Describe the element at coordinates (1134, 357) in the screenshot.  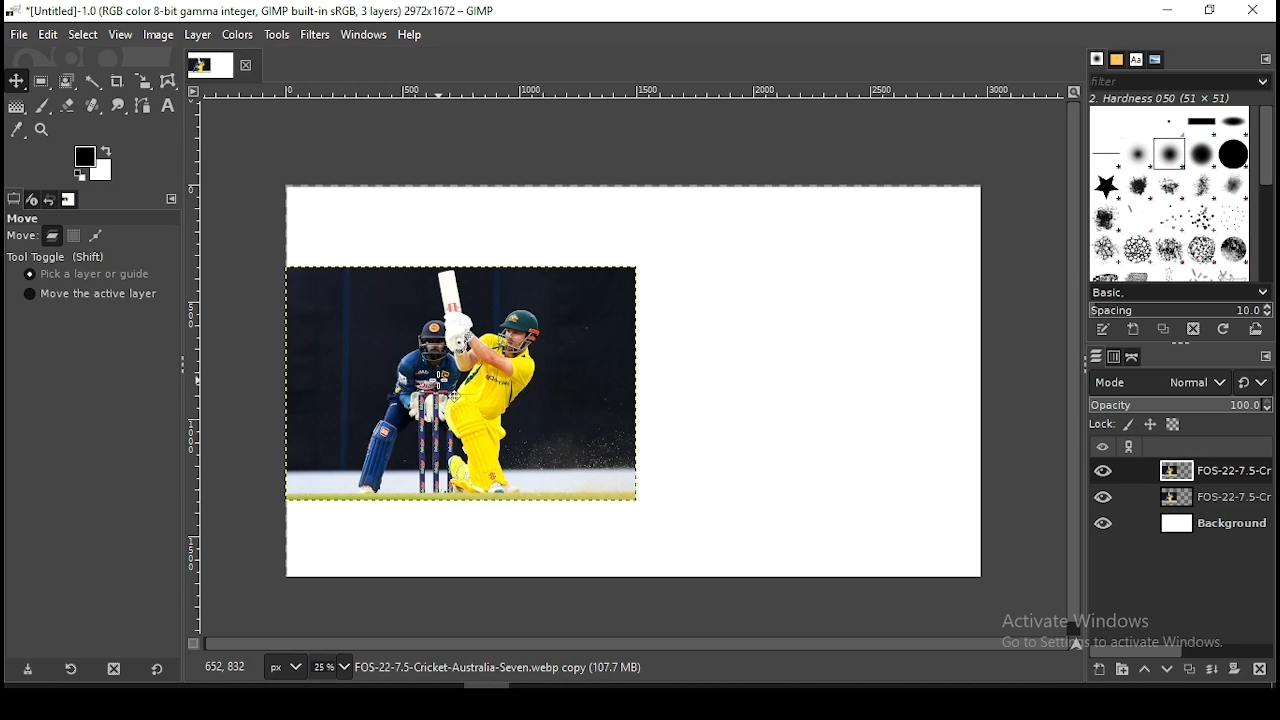
I see `paths` at that location.